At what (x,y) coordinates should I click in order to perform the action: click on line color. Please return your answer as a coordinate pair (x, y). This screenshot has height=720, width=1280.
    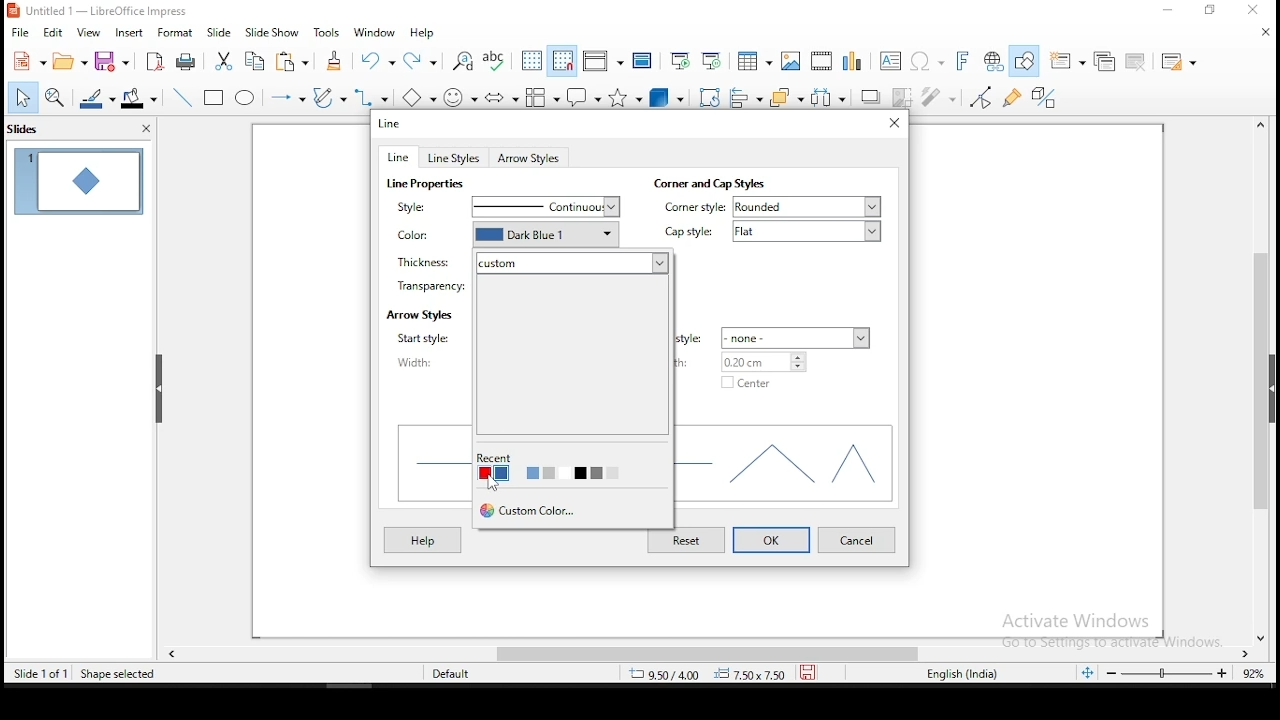
    Looking at the image, I should click on (95, 99).